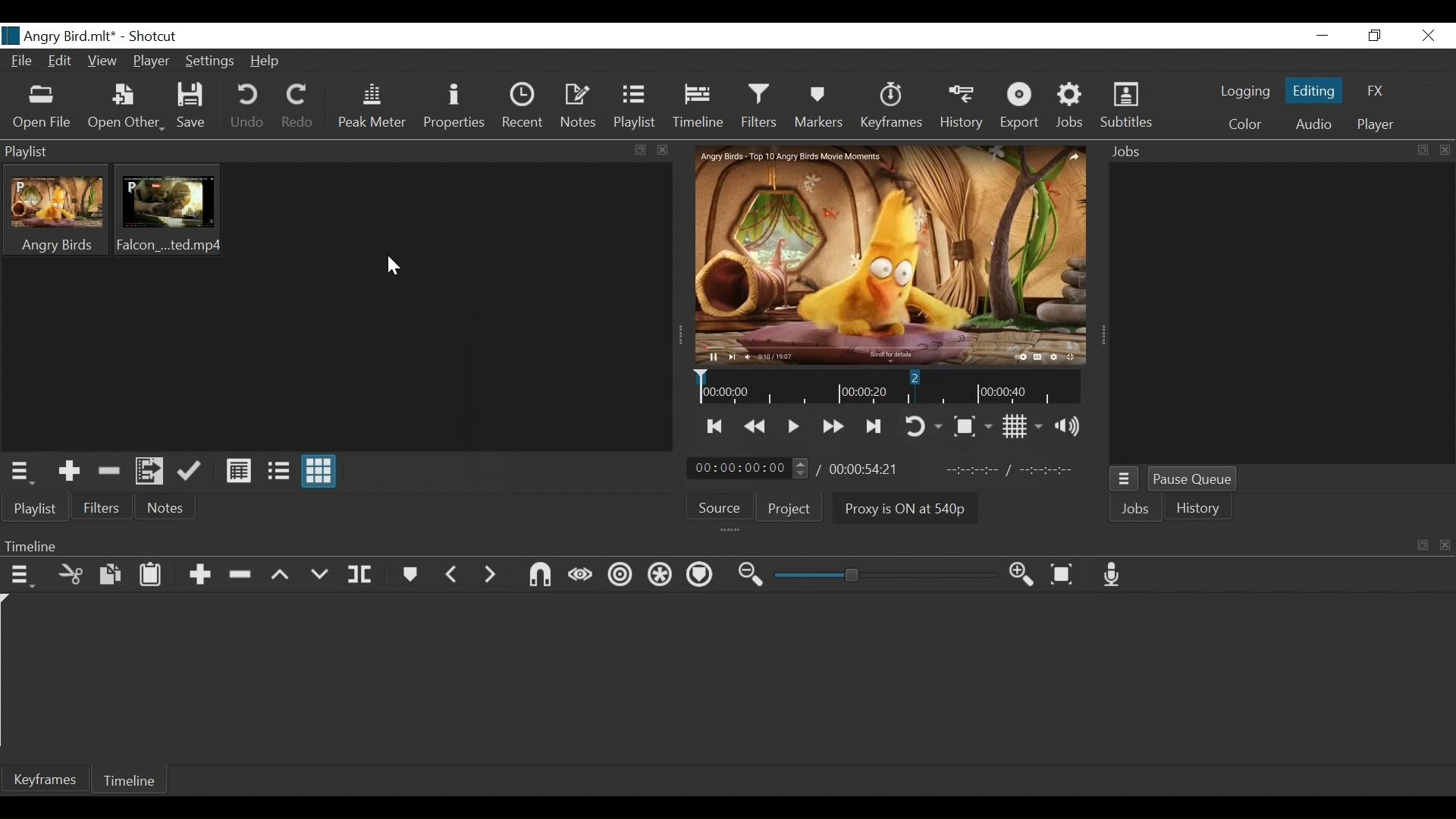  Describe the element at coordinates (1018, 427) in the screenshot. I see `Toggle Display grid on player` at that location.